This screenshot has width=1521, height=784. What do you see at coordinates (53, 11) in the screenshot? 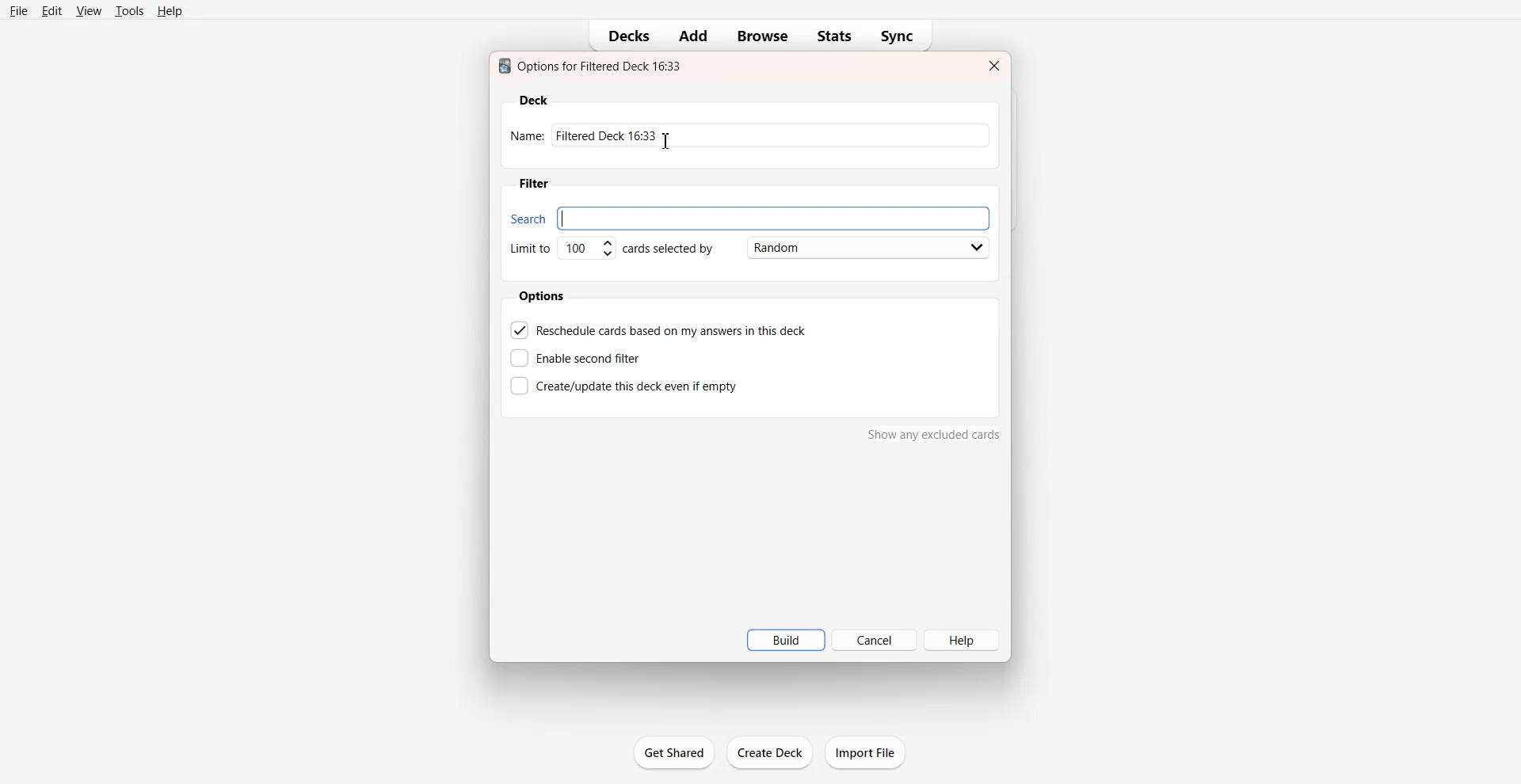
I see `Edit` at bounding box center [53, 11].